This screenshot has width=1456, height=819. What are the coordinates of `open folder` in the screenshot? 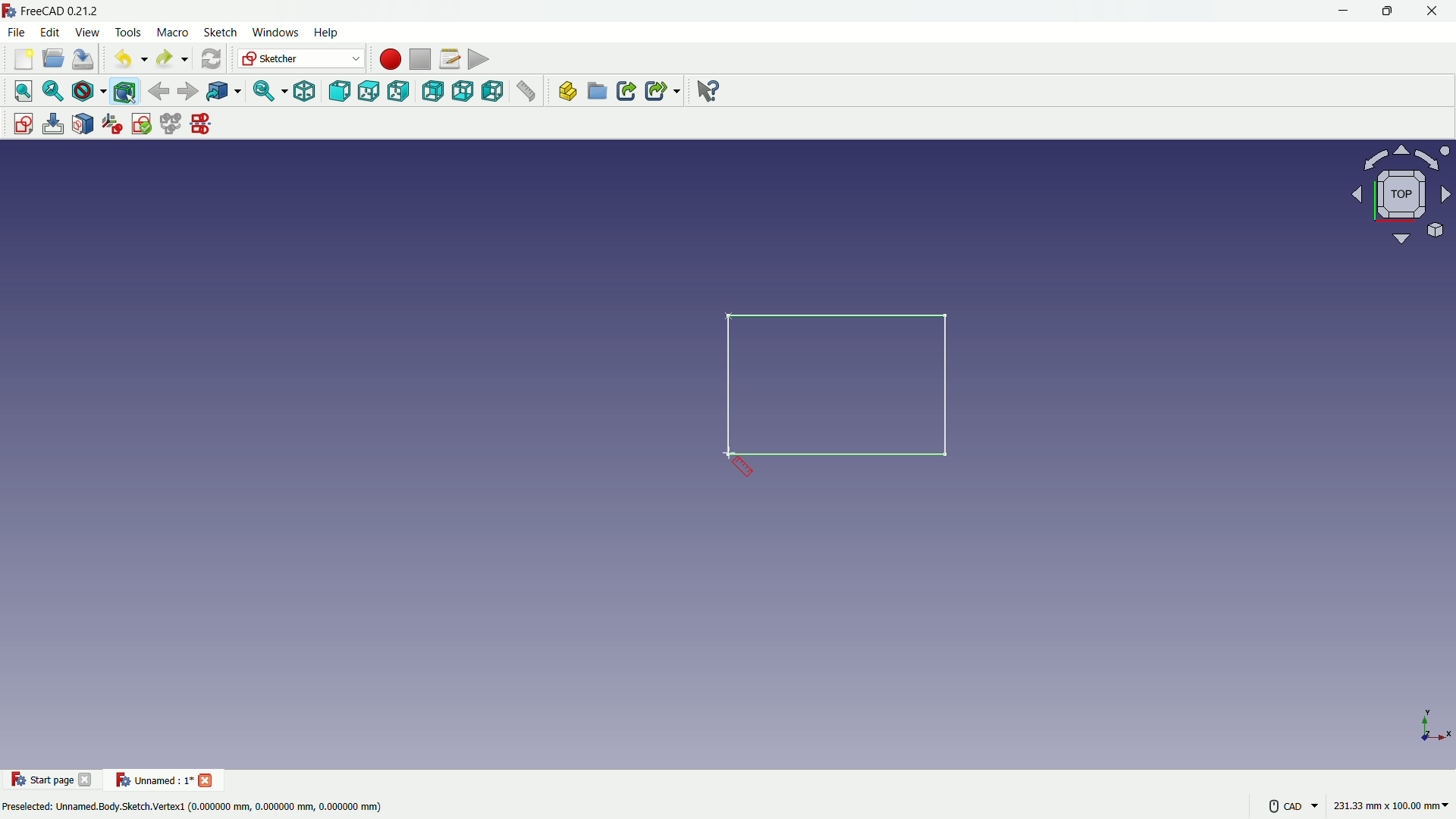 It's located at (52, 60).